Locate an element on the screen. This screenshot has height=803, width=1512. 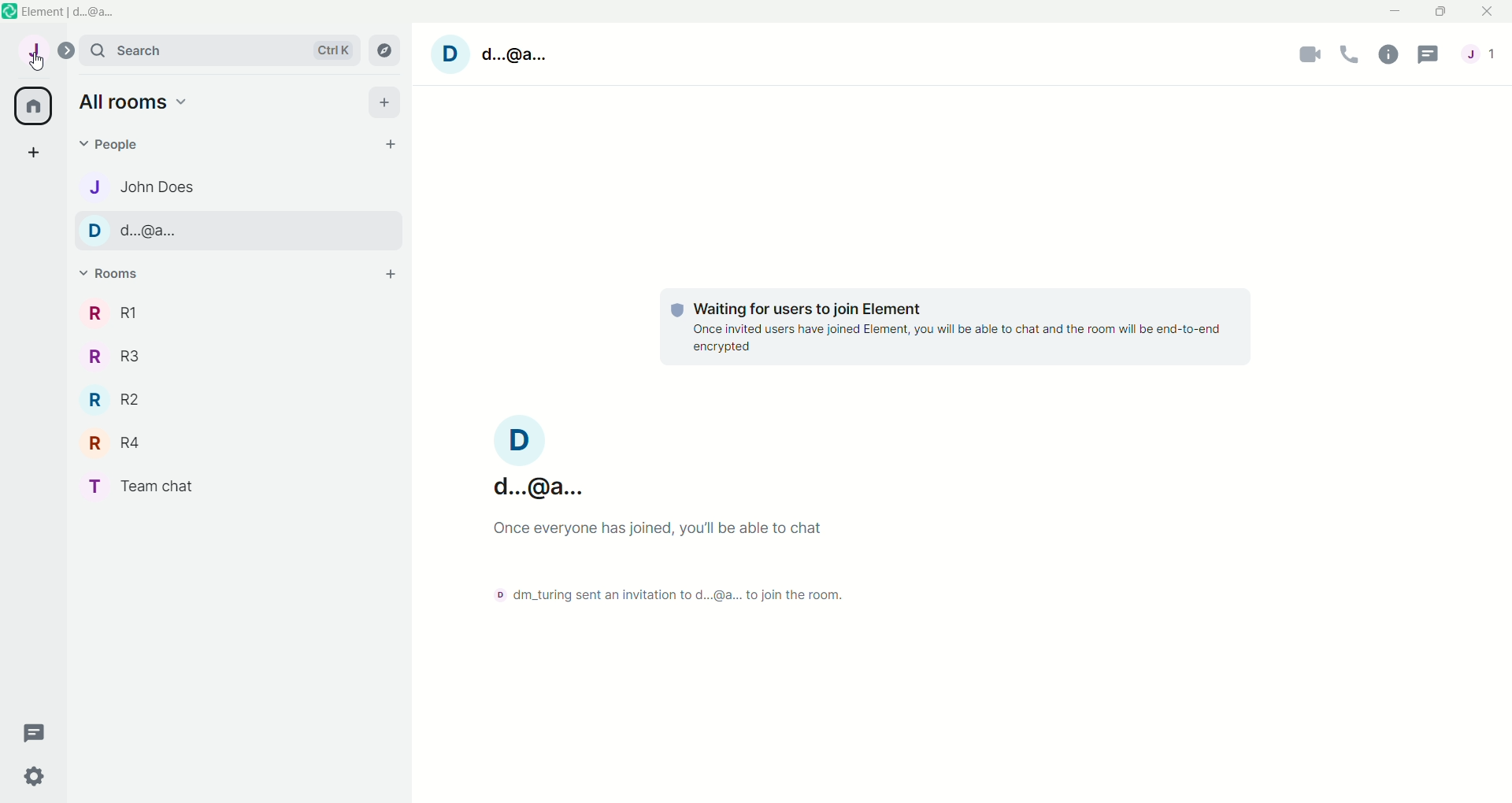
d..@a... is located at coordinates (516, 54).